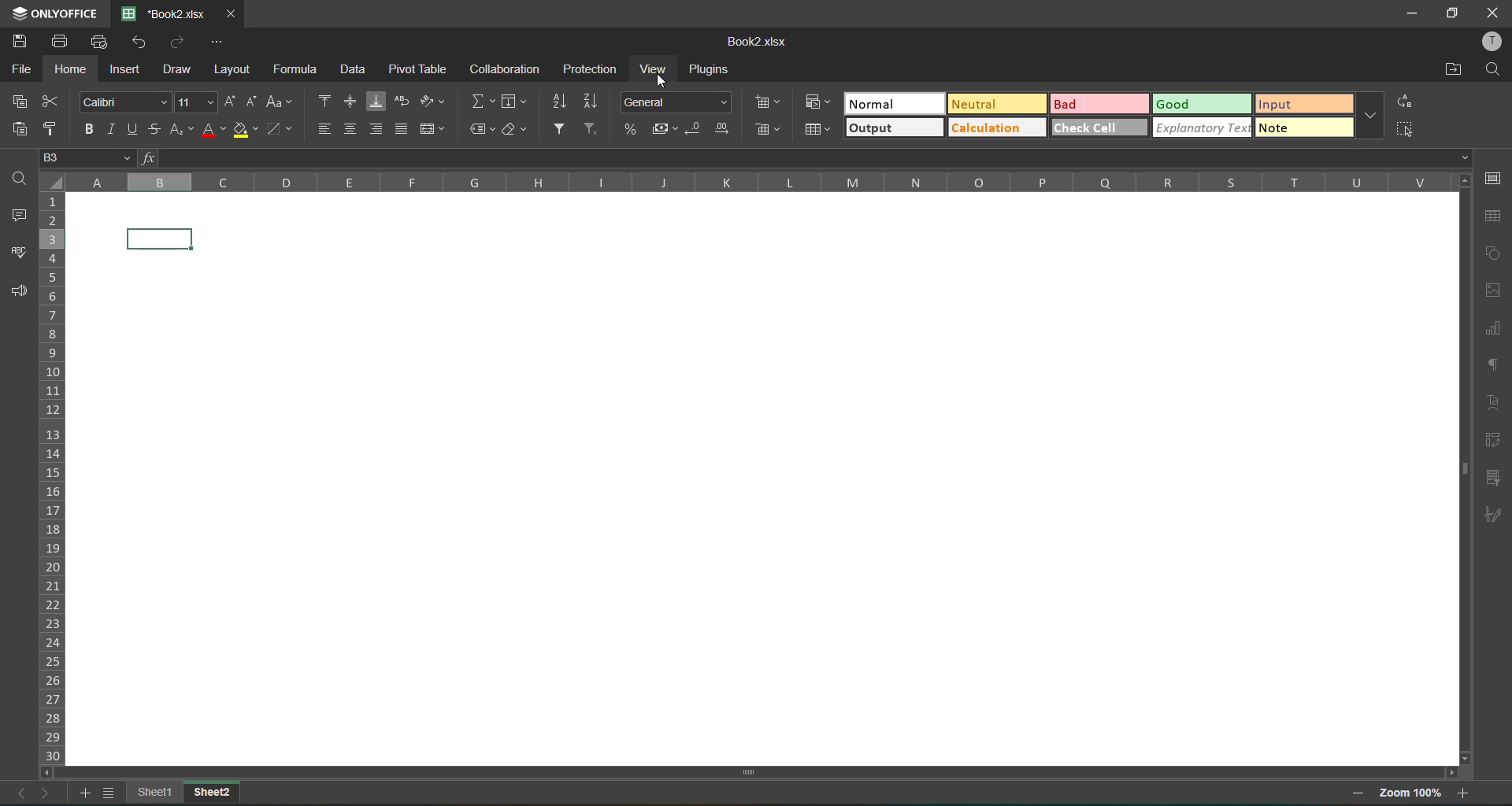 This screenshot has height=806, width=1512. Describe the element at coordinates (1369, 116) in the screenshot. I see `more options` at that location.